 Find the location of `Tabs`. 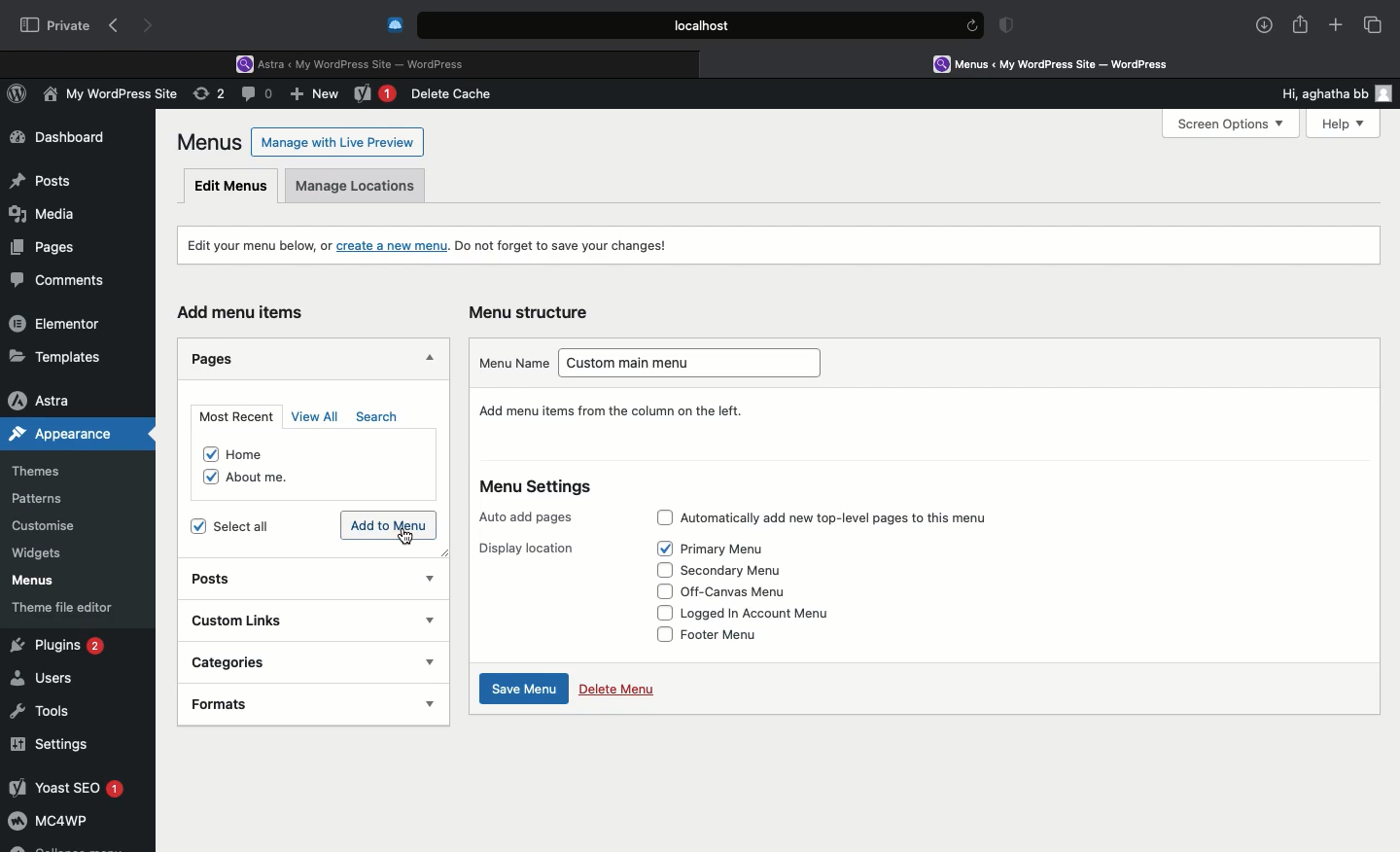

Tabs is located at coordinates (1374, 24).